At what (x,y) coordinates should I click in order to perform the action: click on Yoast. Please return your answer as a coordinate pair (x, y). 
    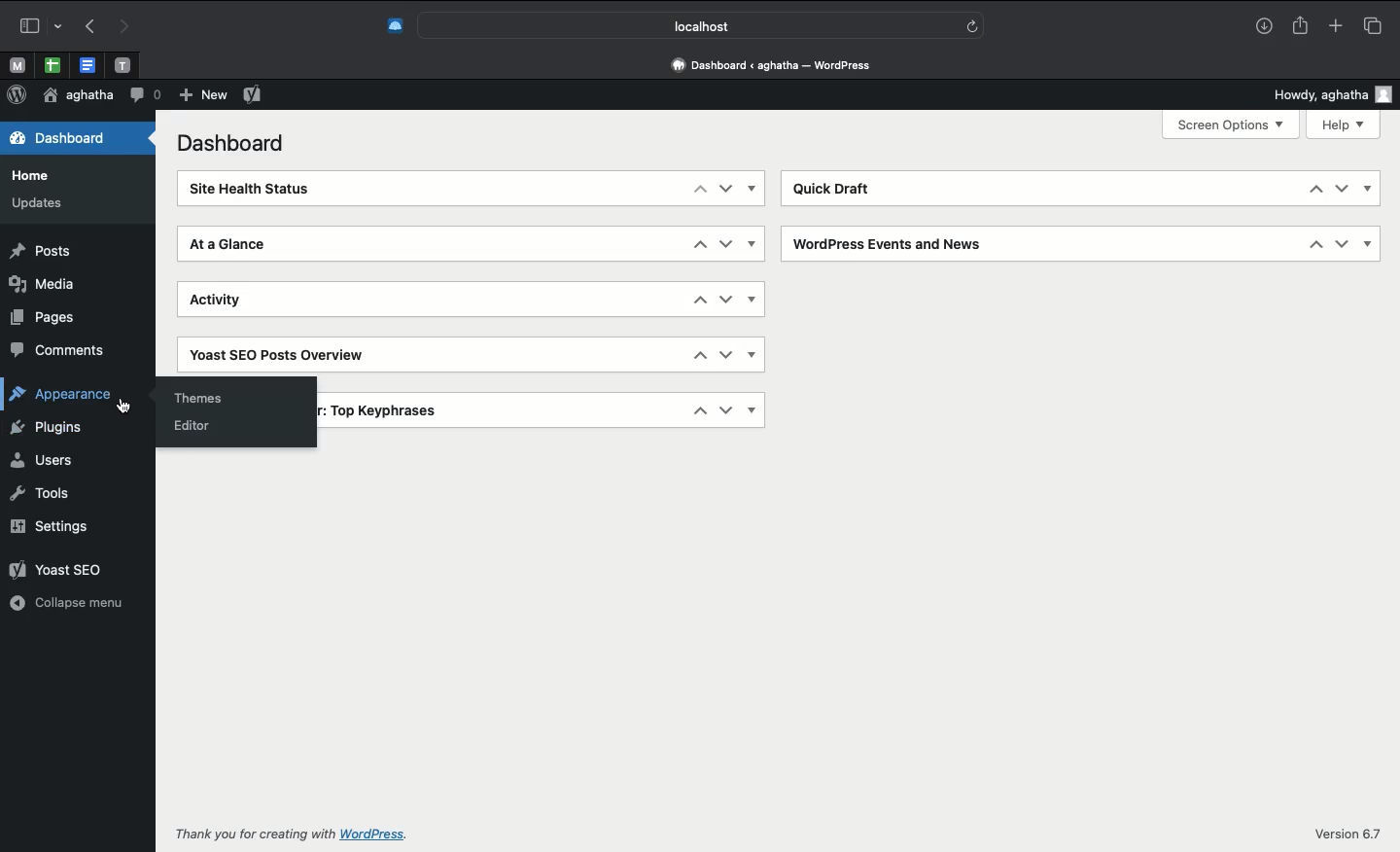
    Looking at the image, I should click on (283, 350).